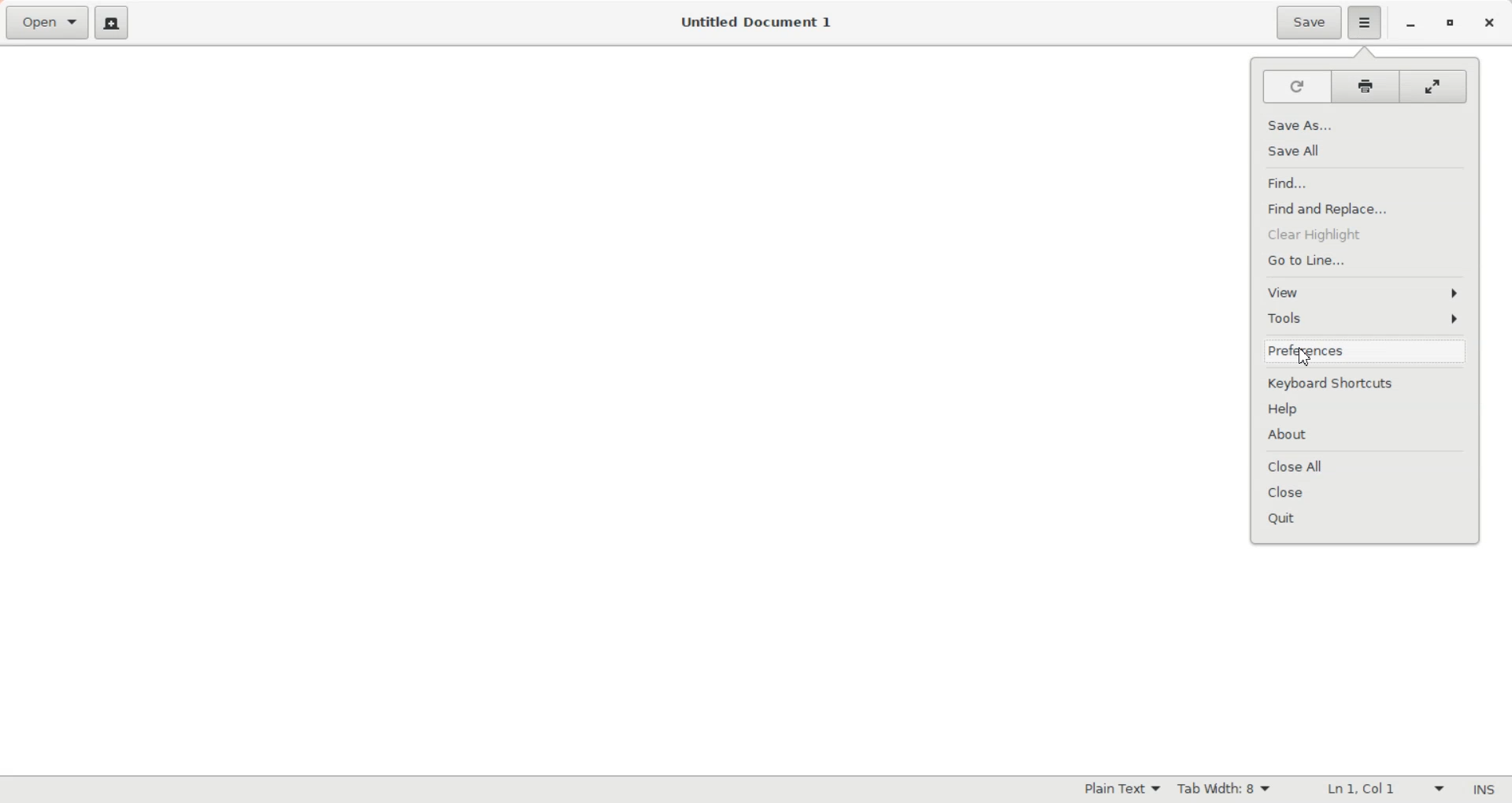  Describe the element at coordinates (1367, 468) in the screenshot. I see `Close All` at that location.